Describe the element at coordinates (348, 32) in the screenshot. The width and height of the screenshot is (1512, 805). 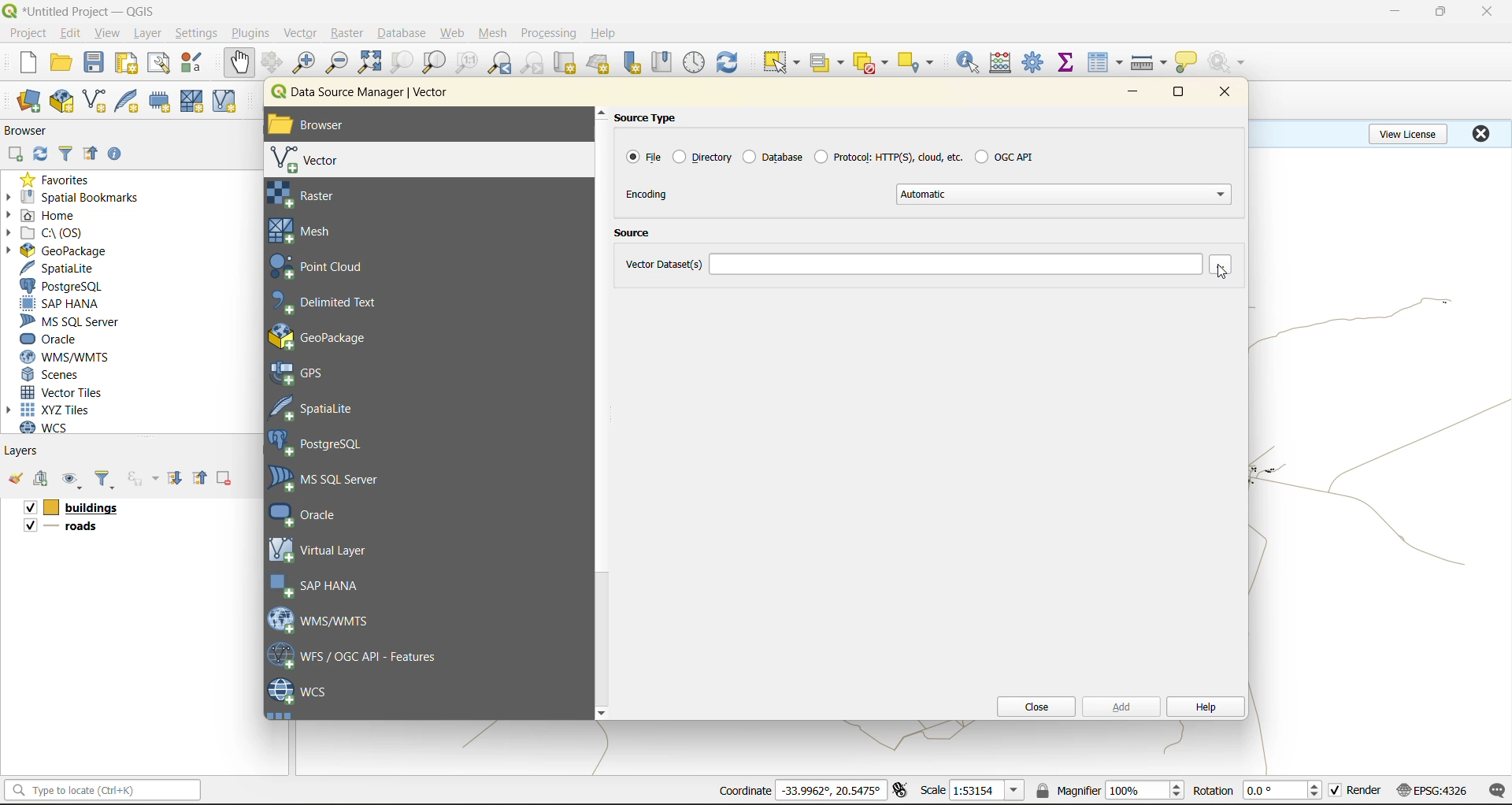
I see `raster` at that location.